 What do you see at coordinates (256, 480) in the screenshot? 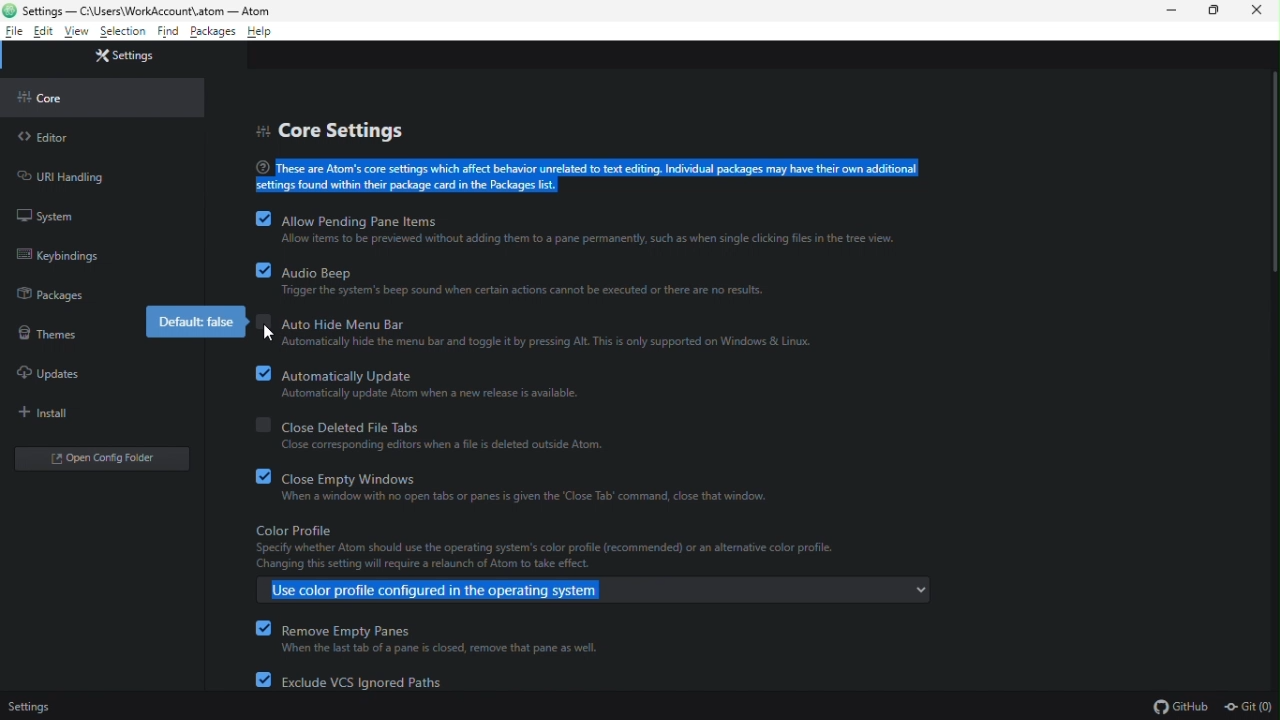
I see `checkbox` at bounding box center [256, 480].